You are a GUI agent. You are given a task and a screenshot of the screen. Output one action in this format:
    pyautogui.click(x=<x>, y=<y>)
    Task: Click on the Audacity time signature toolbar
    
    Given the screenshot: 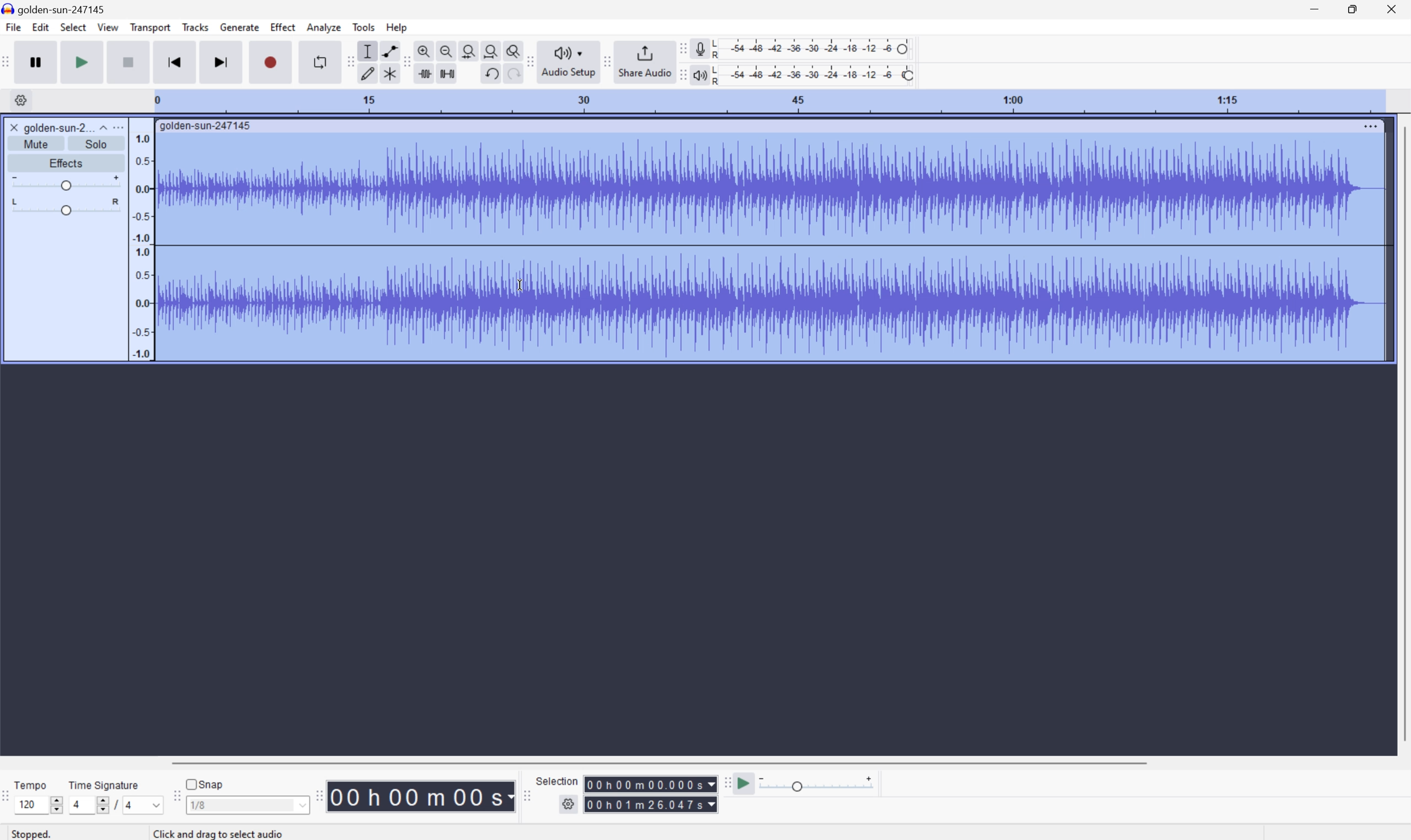 What is the action you would take?
    pyautogui.click(x=9, y=802)
    